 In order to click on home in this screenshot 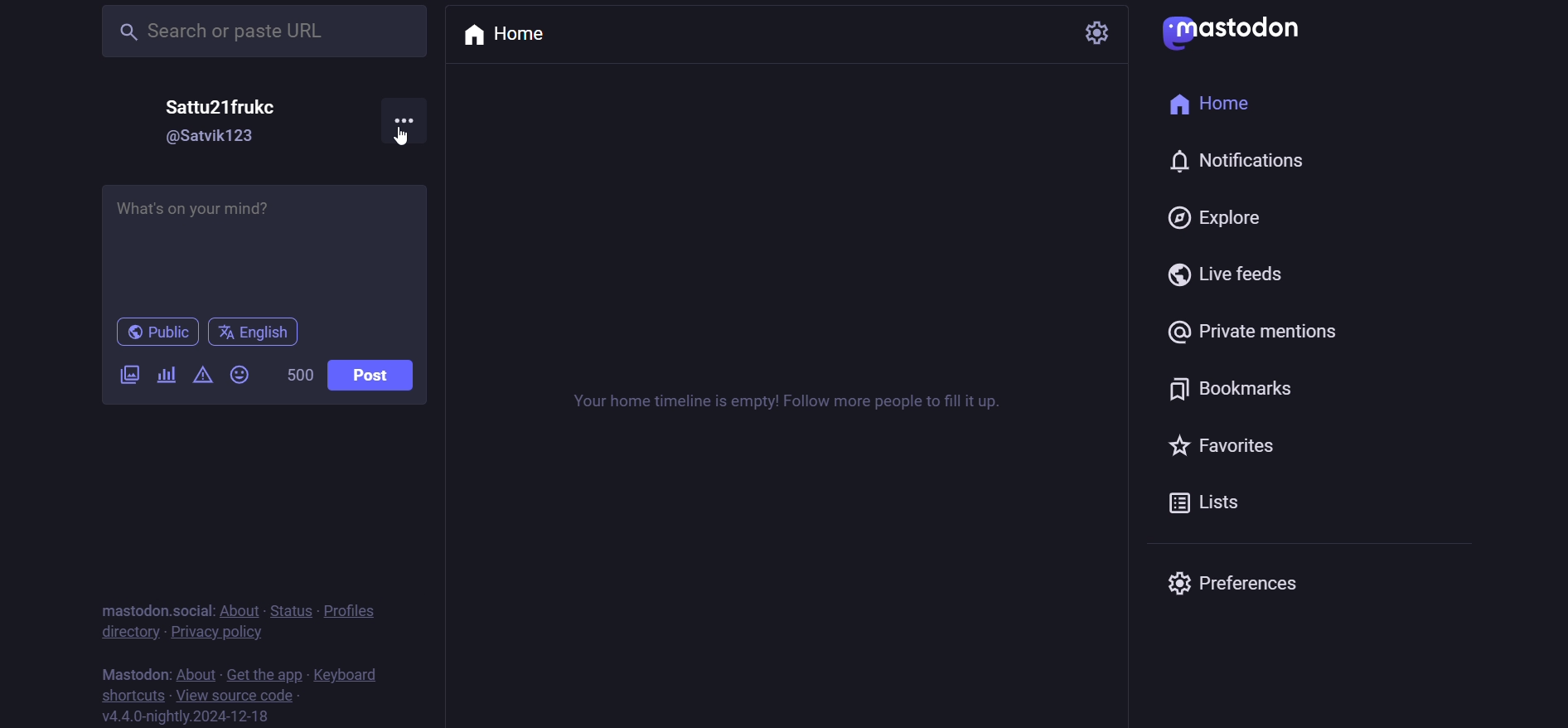, I will do `click(1217, 102)`.